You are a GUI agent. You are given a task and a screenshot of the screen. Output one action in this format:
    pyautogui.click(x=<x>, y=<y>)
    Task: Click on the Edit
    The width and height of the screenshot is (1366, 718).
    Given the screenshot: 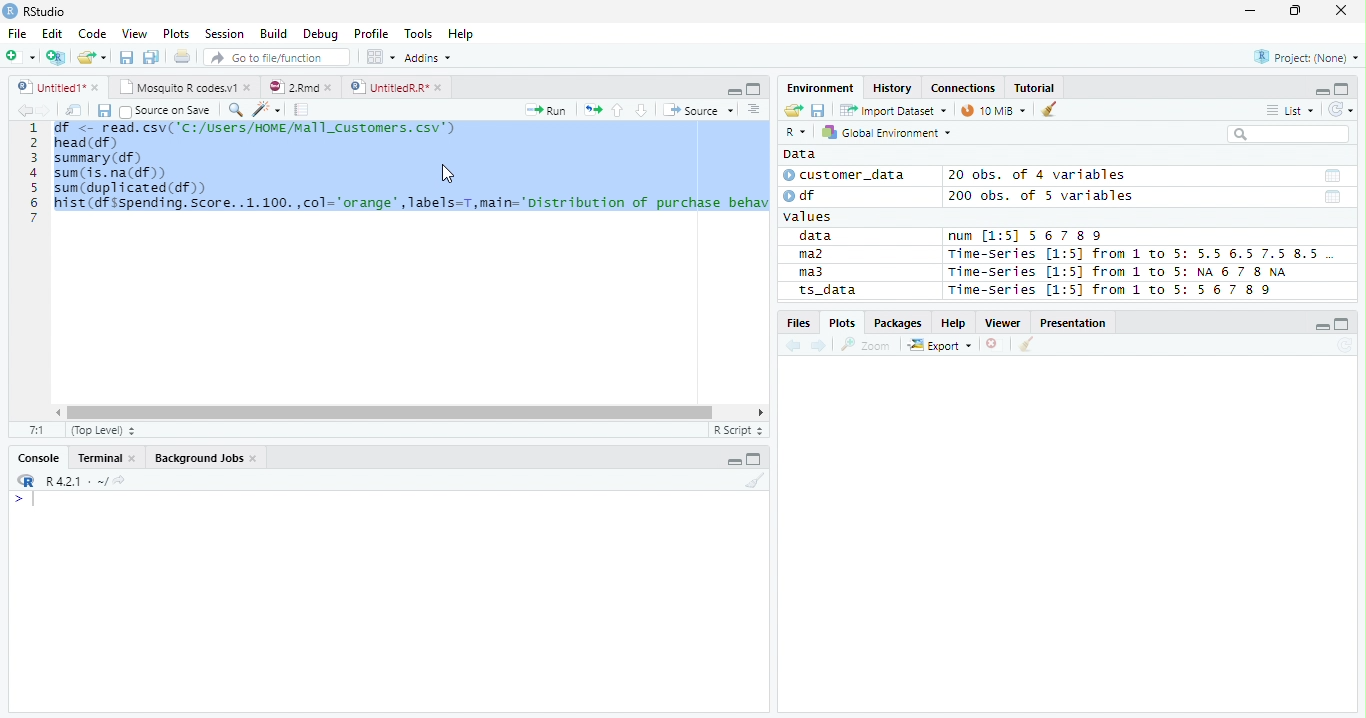 What is the action you would take?
    pyautogui.click(x=51, y=32)
    